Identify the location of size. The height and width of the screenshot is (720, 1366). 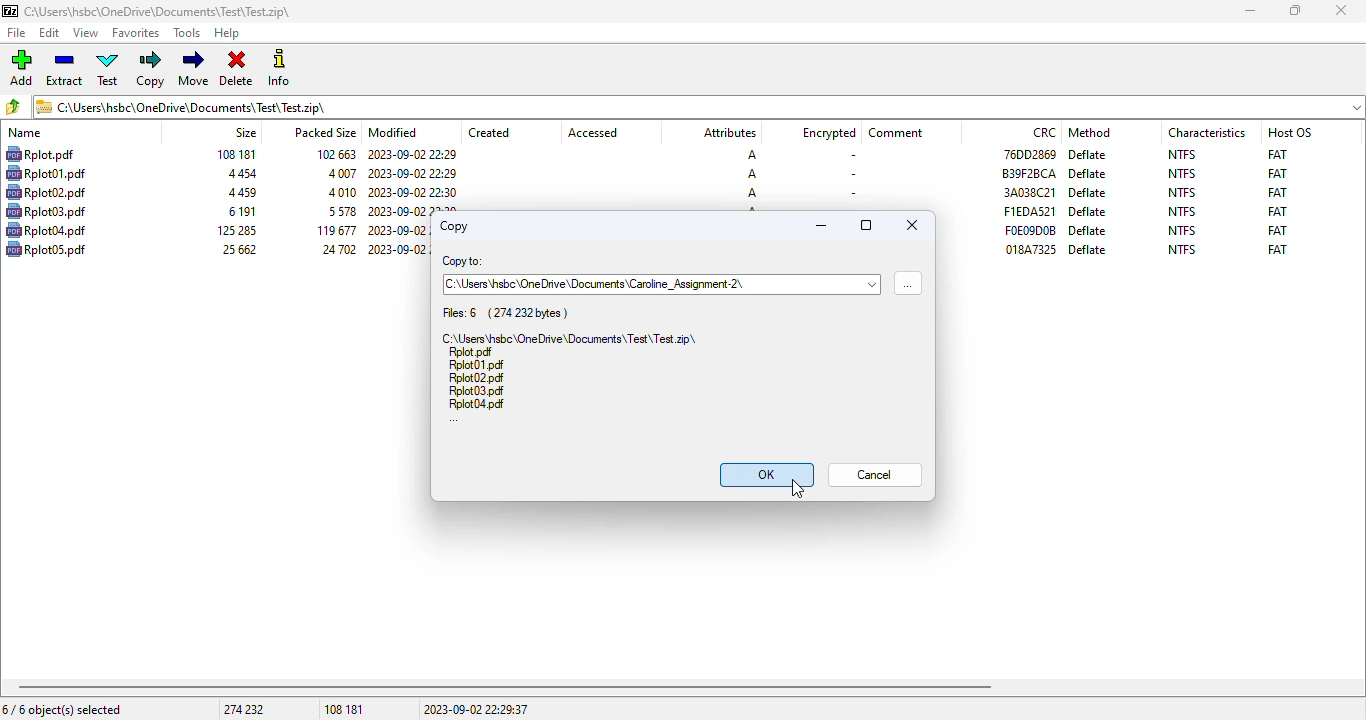
(234, 230).